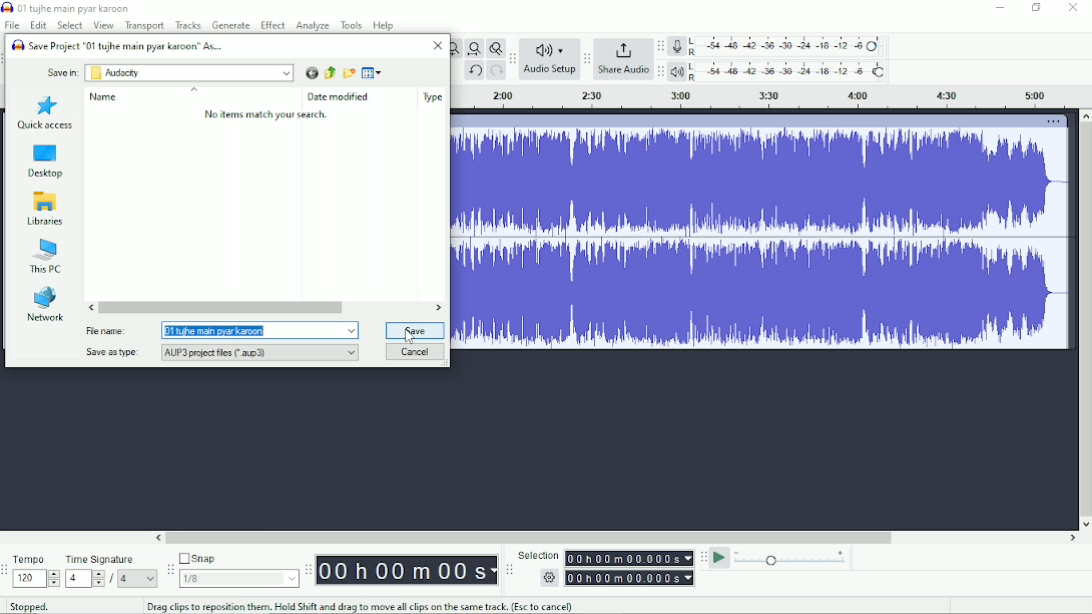 Image resolution: width=1092 pixels, height=614 pixels. Describe the element at coordinates (220, 329) in the screenshot. I see `File name` at that location.